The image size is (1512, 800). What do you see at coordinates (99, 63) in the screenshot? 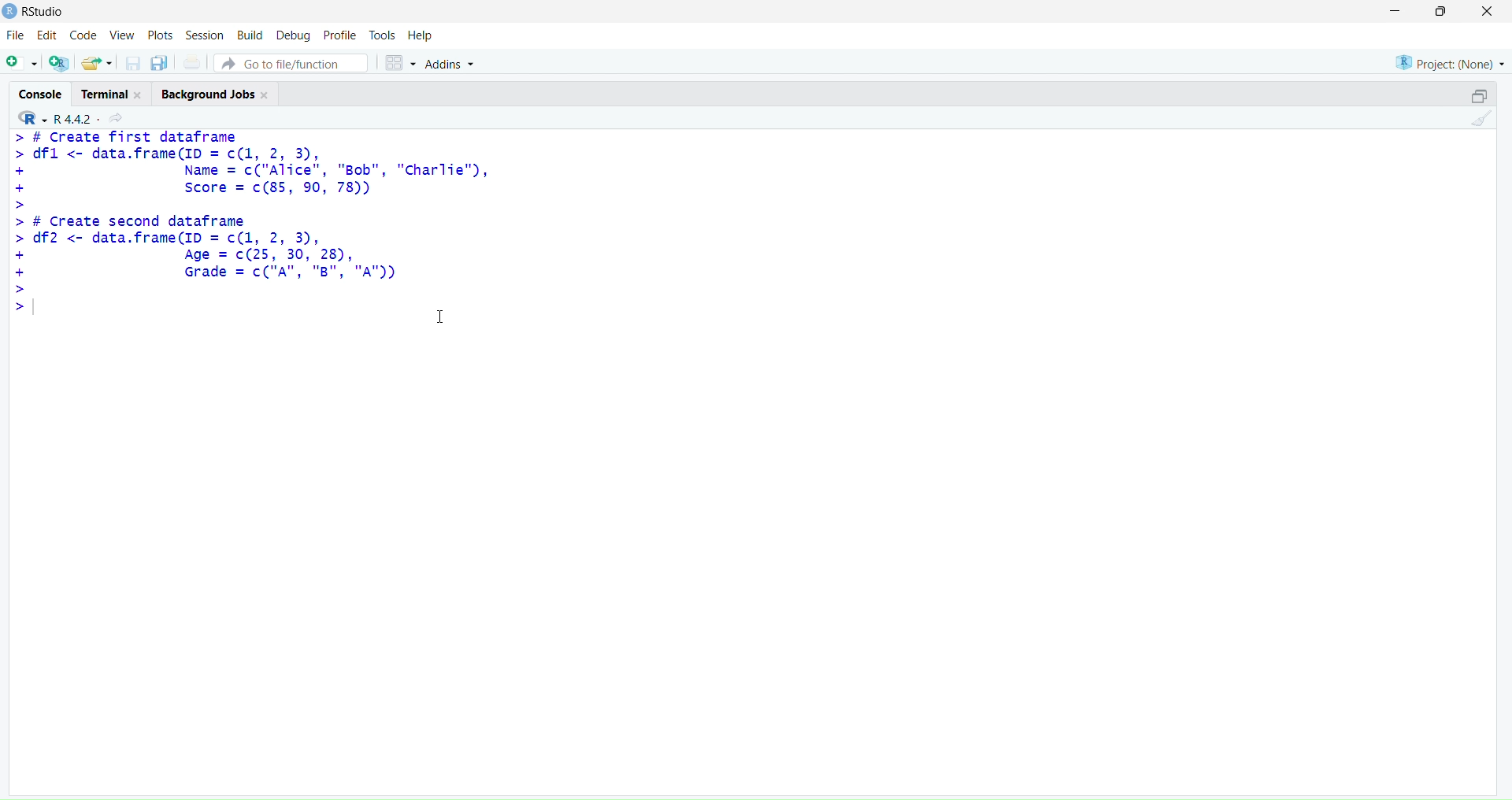
I see `open existing file` at bounding box center [99, 63].